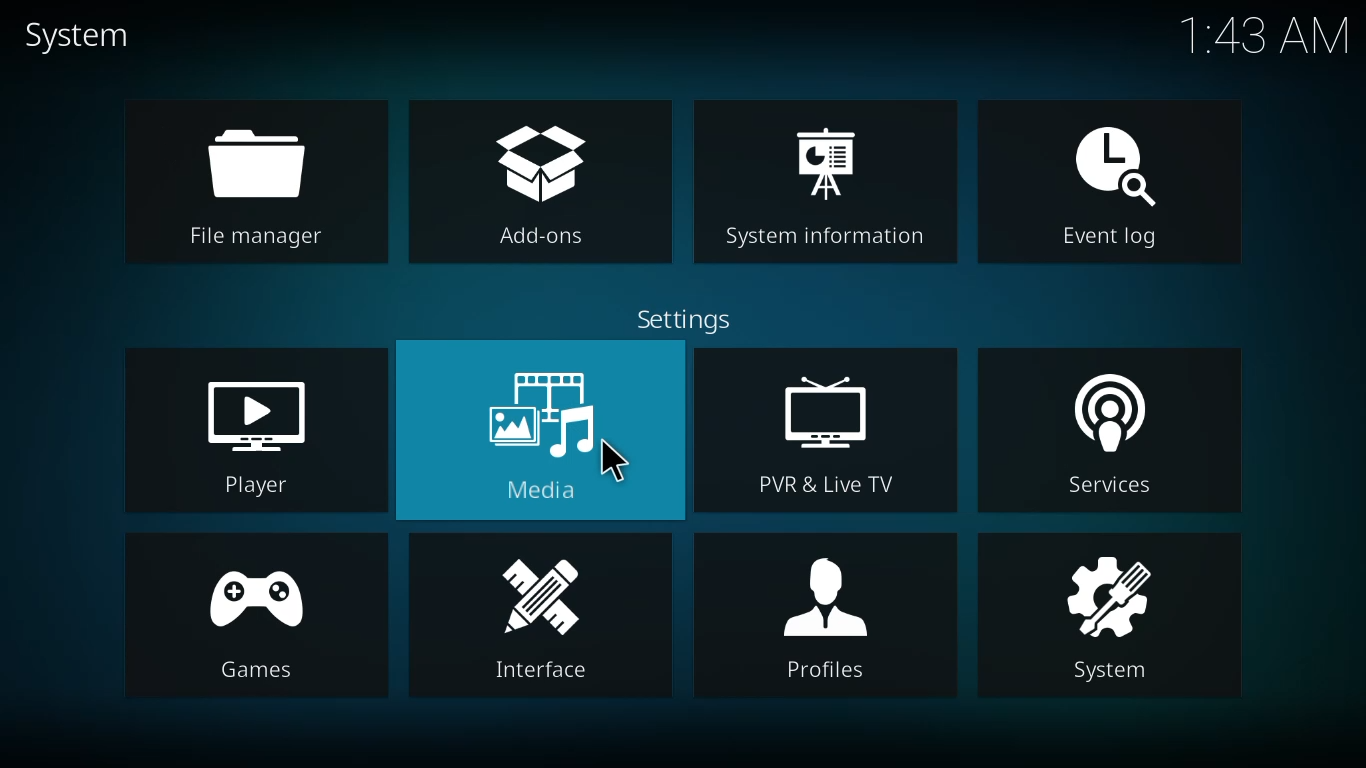 This screenshot has height=768, width=1366. I want to click on event log, so click(1114, 183).